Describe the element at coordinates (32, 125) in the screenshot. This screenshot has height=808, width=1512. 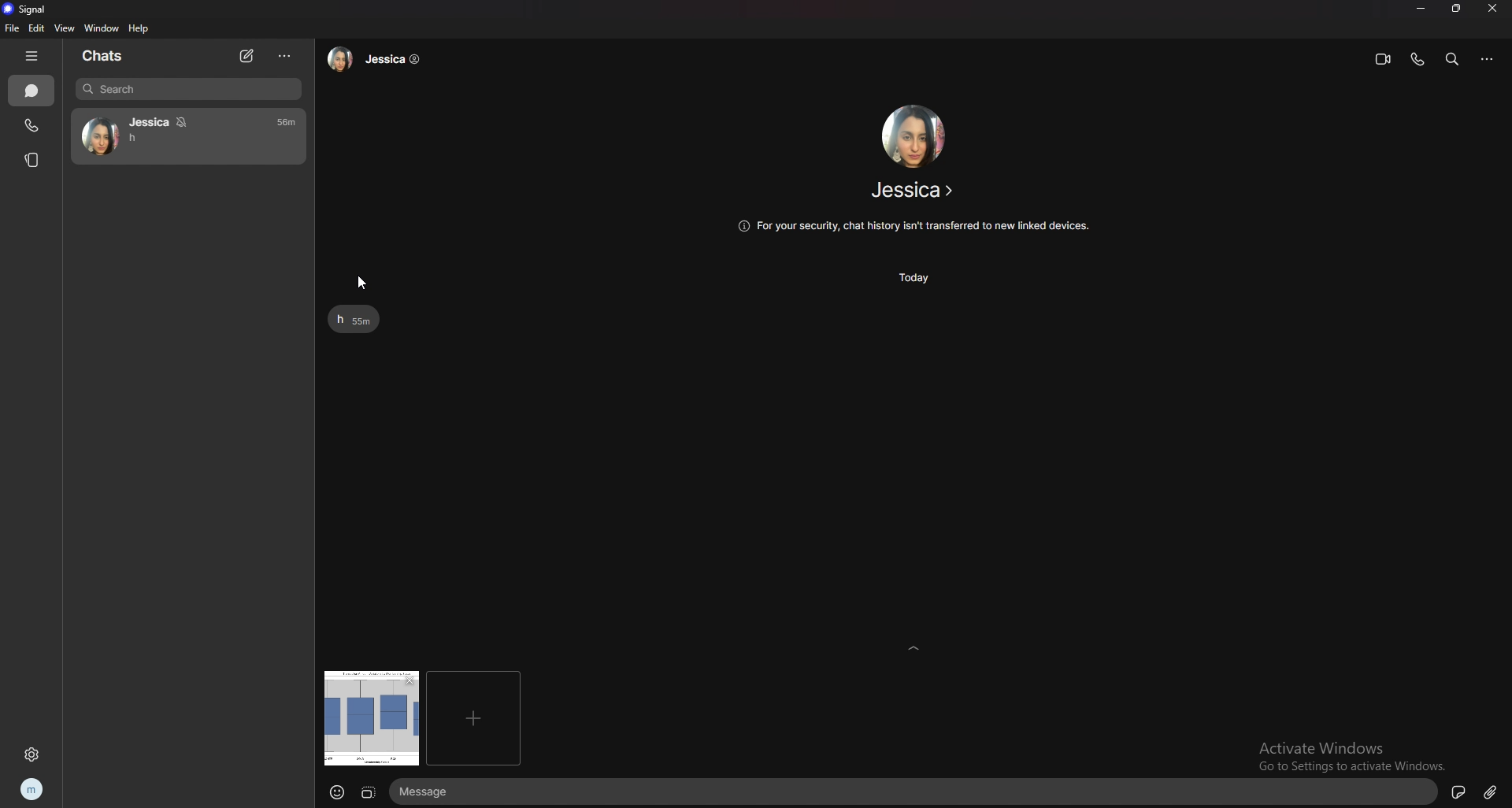
I see `calls` at that location.